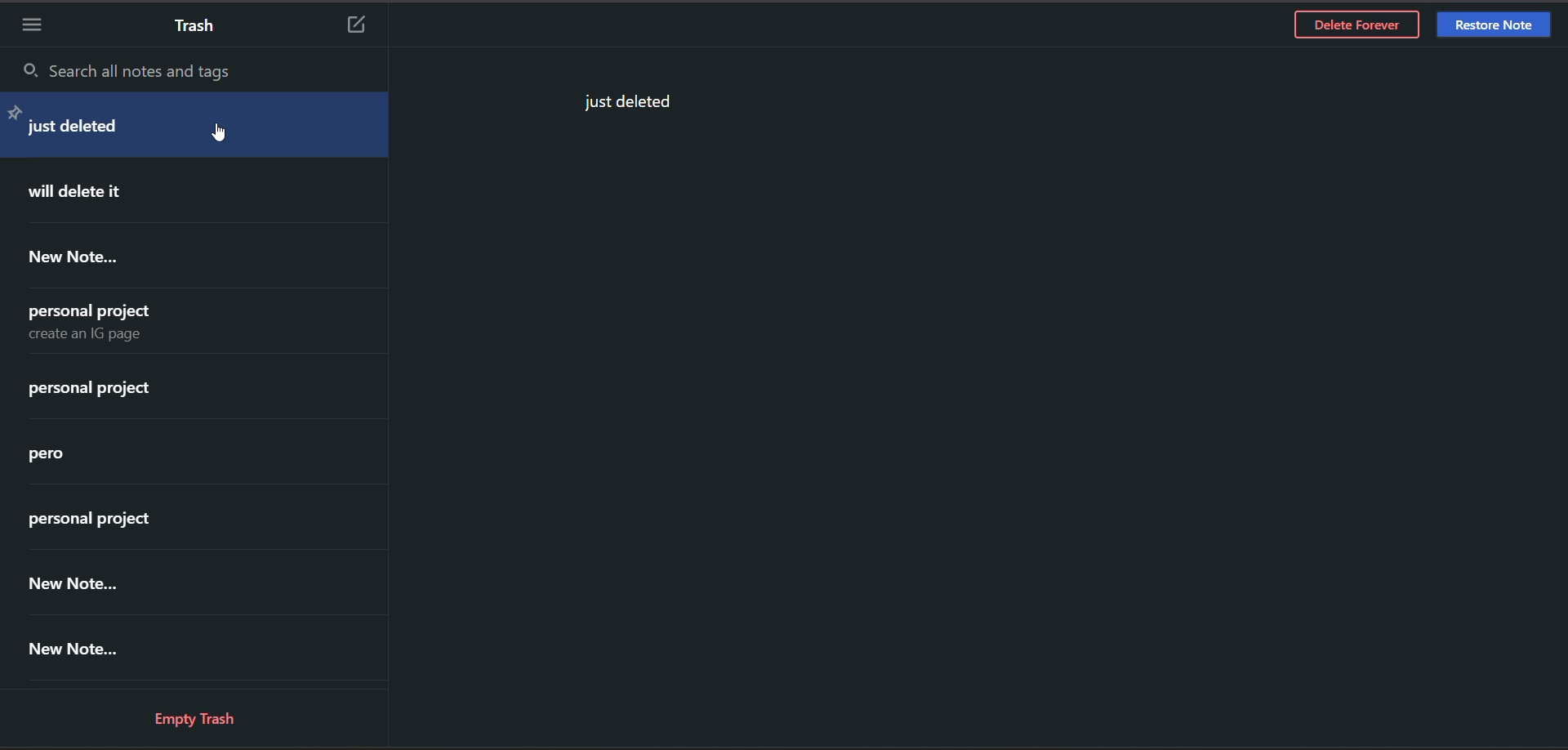 The height and width of the screenshot is (750, 1568). I want to click on search all notes and tags, so click(161, 72).